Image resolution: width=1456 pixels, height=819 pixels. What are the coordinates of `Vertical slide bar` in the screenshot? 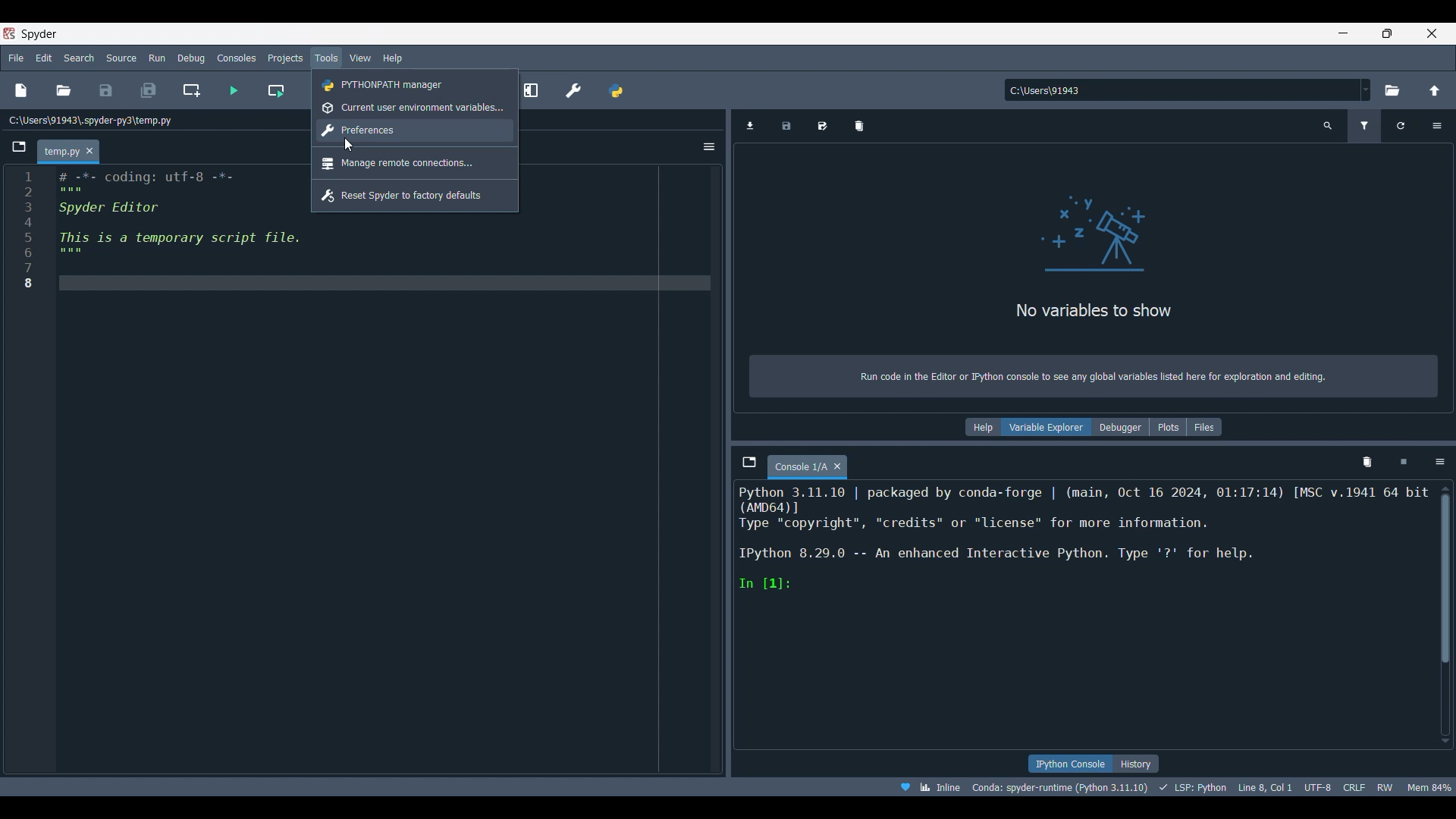 It's located at (1445, 615).